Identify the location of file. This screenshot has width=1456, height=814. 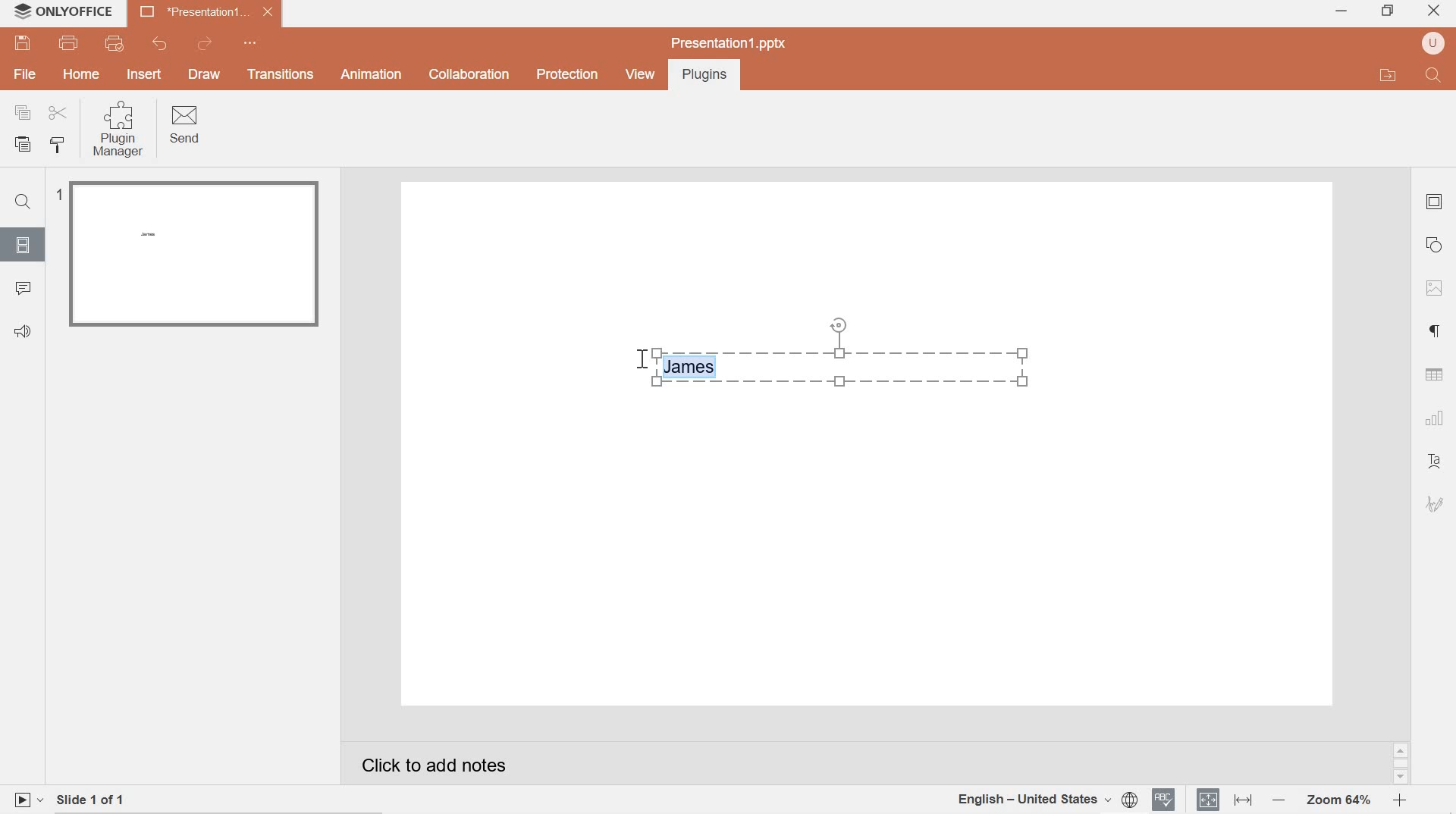
(26, 76).